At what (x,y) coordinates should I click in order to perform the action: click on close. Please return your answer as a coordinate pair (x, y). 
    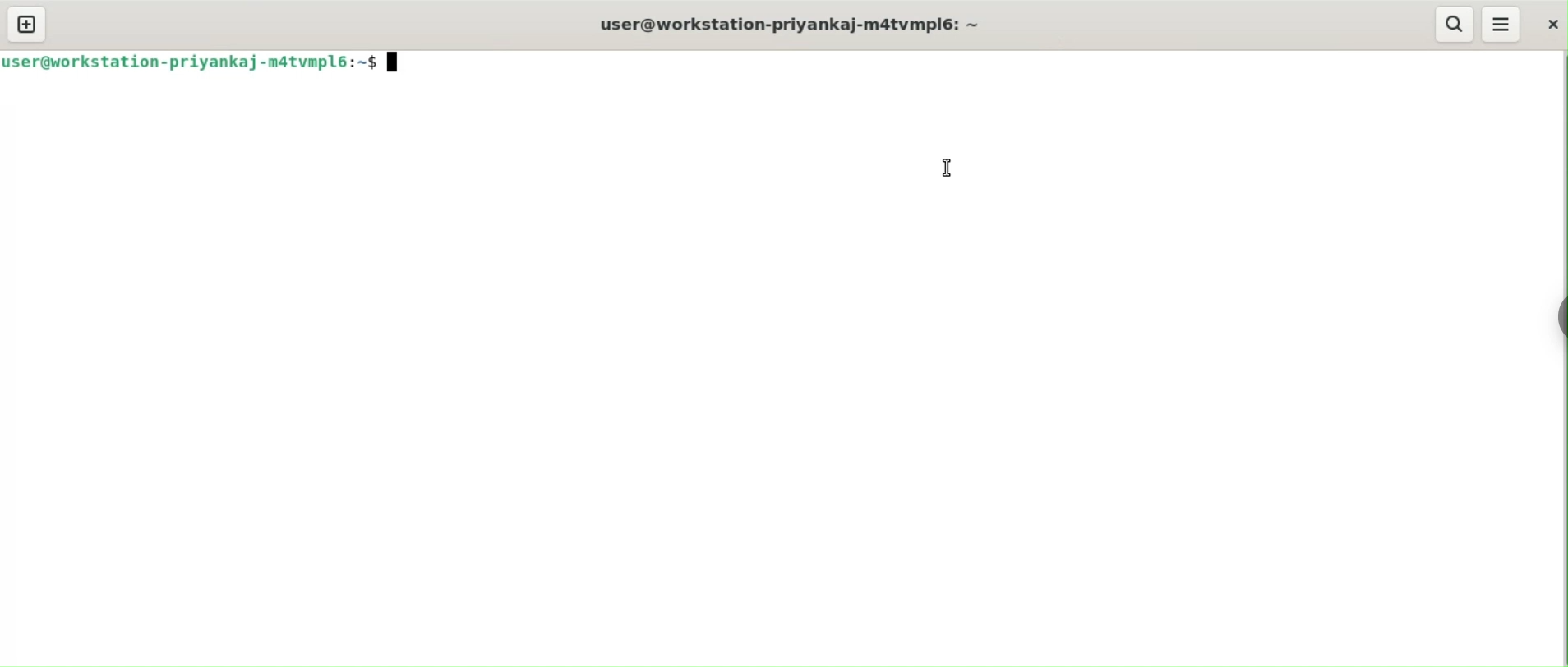
    Looking at the image, I should click on (1550, 23).